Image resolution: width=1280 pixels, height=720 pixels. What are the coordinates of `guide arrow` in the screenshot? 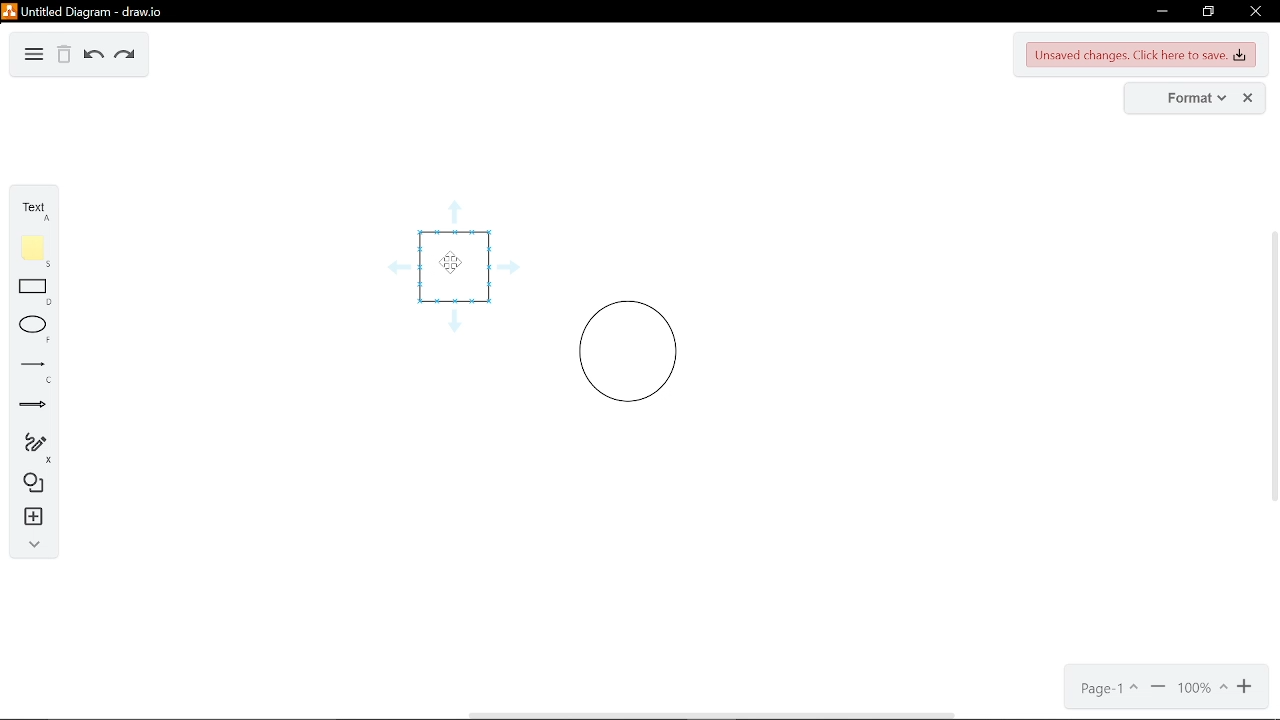 It's located at (399, 267).